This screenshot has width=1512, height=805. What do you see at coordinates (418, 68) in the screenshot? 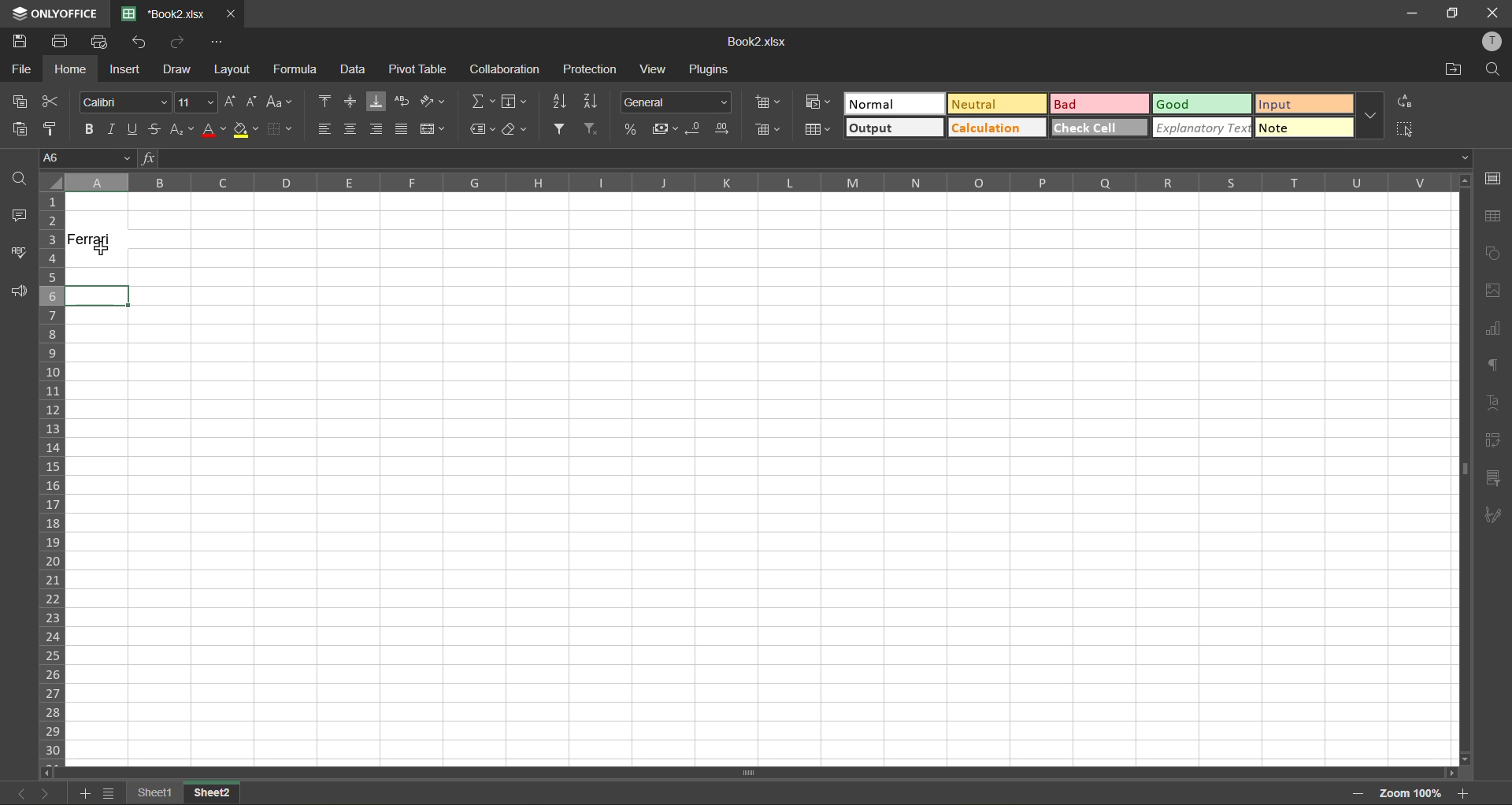
I see `pivot table` at bounding box center [418, 68].